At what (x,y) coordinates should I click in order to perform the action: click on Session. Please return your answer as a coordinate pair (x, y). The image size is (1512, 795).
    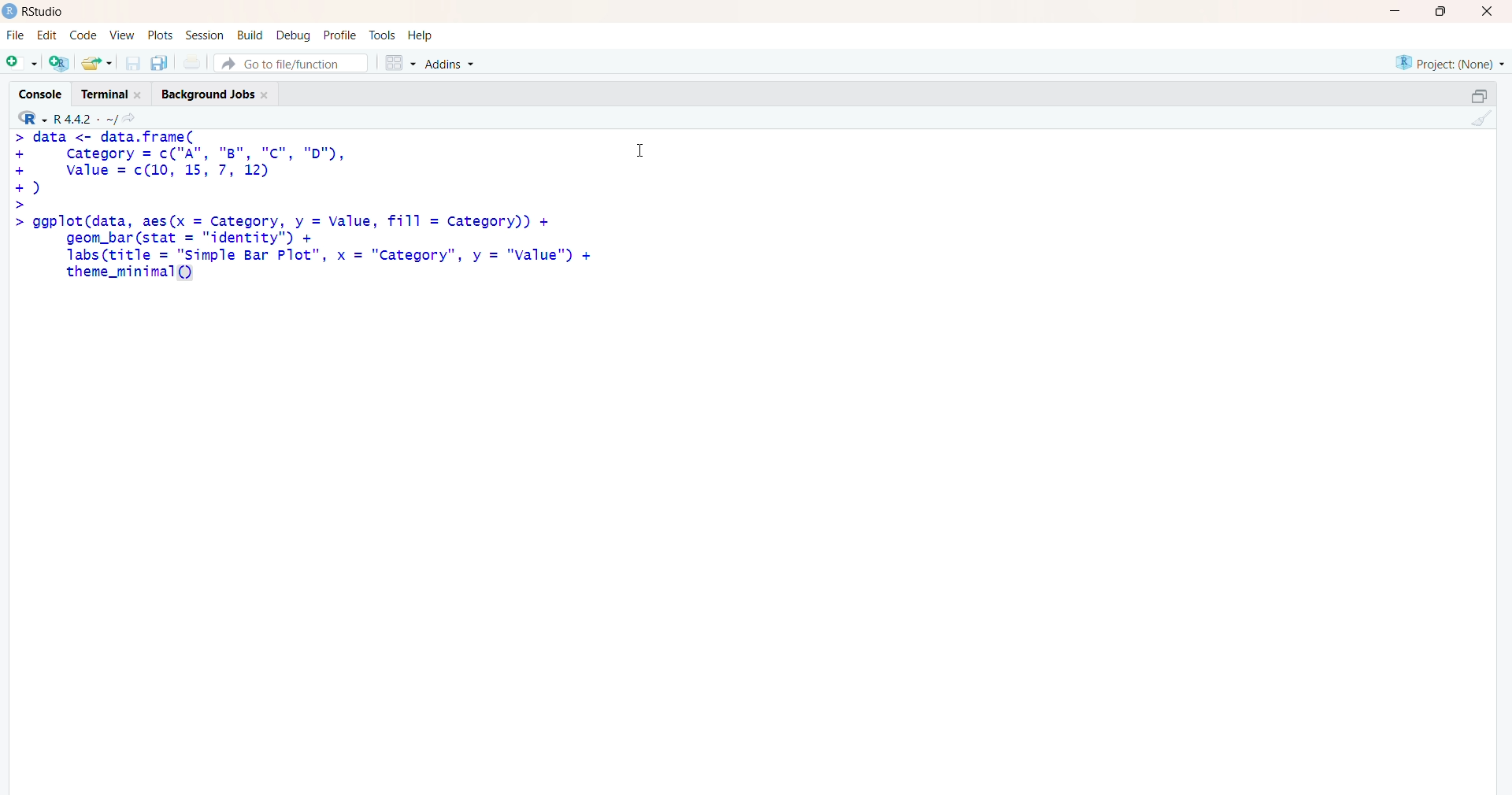
    Looking at the image, I should click on (205, 35).